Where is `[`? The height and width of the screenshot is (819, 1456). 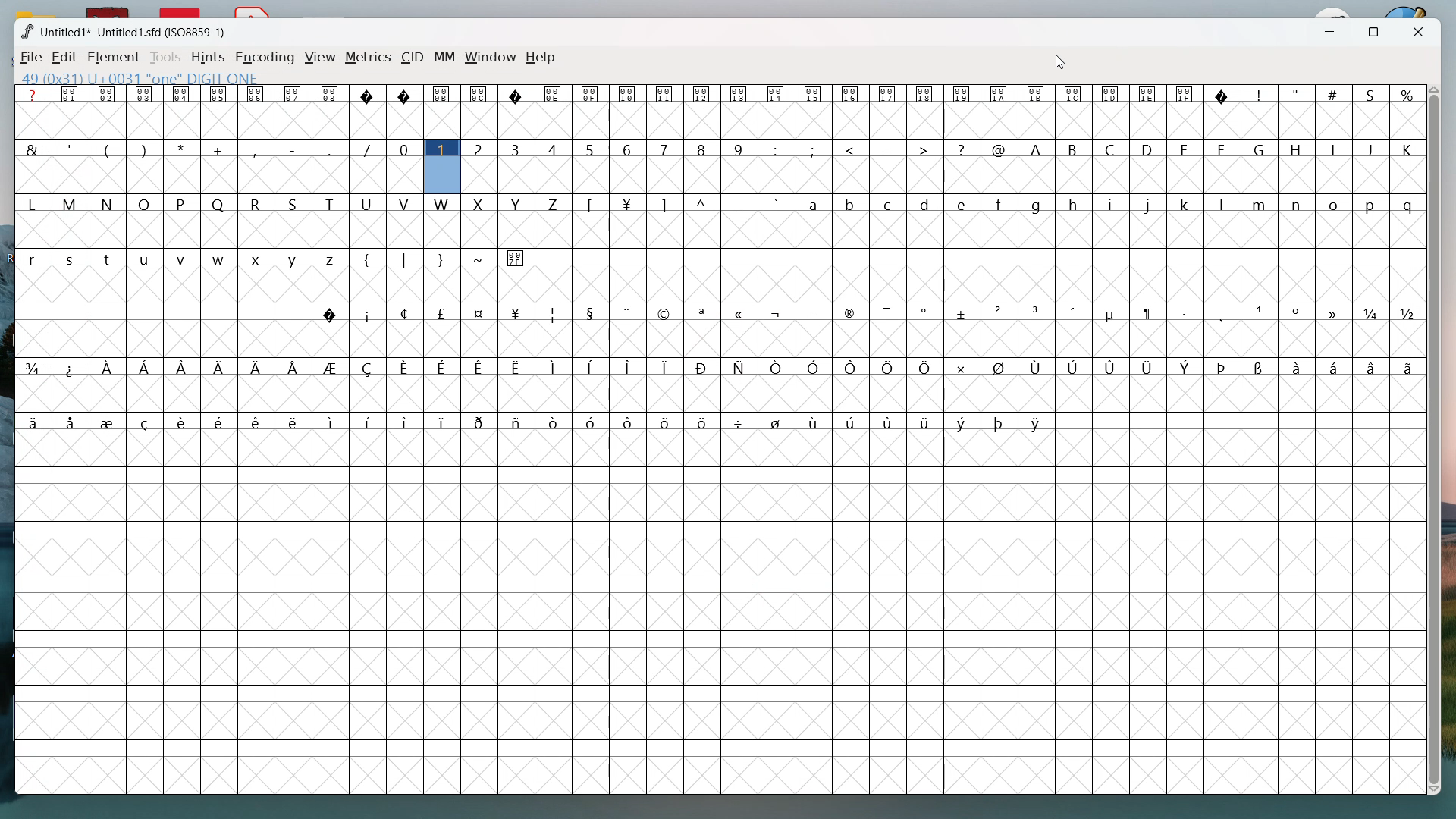 [ is located at coordinates (593, 204).